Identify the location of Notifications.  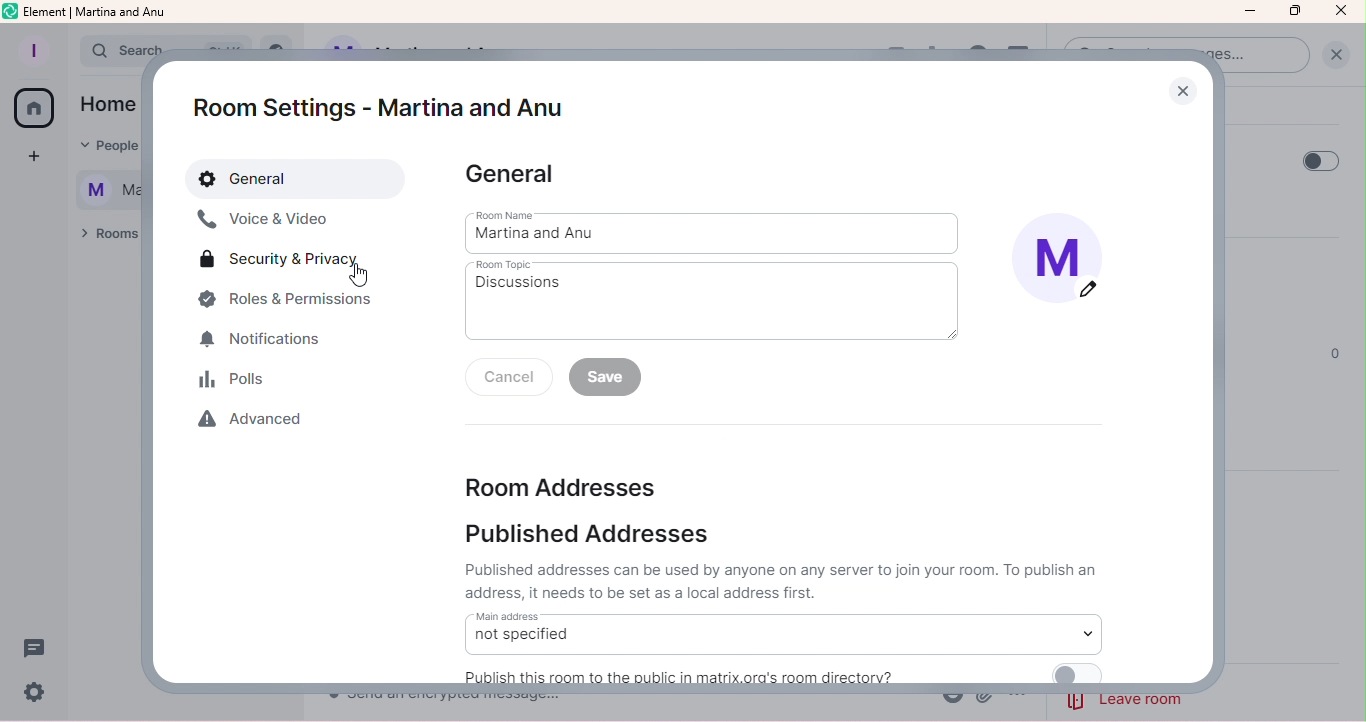
(271, 340).